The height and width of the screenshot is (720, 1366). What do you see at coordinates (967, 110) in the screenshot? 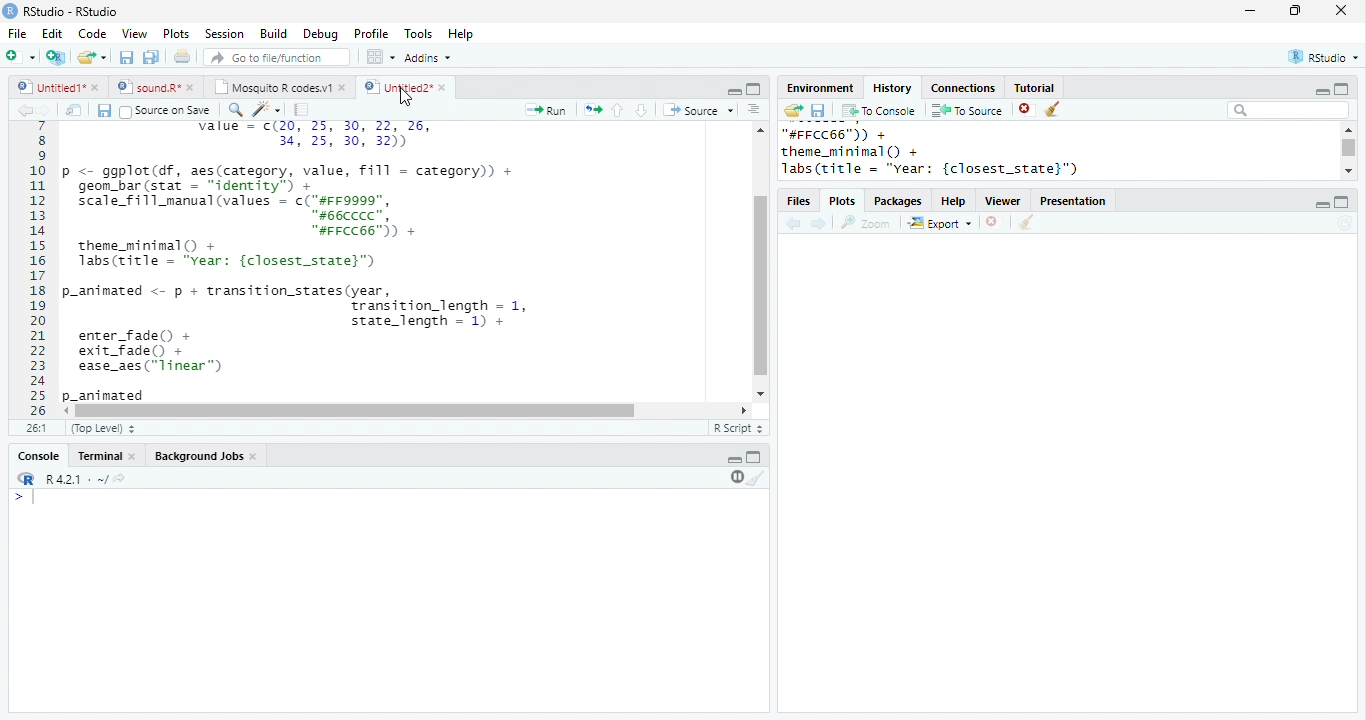
I see `To Source` at bounding box center [967, 110].